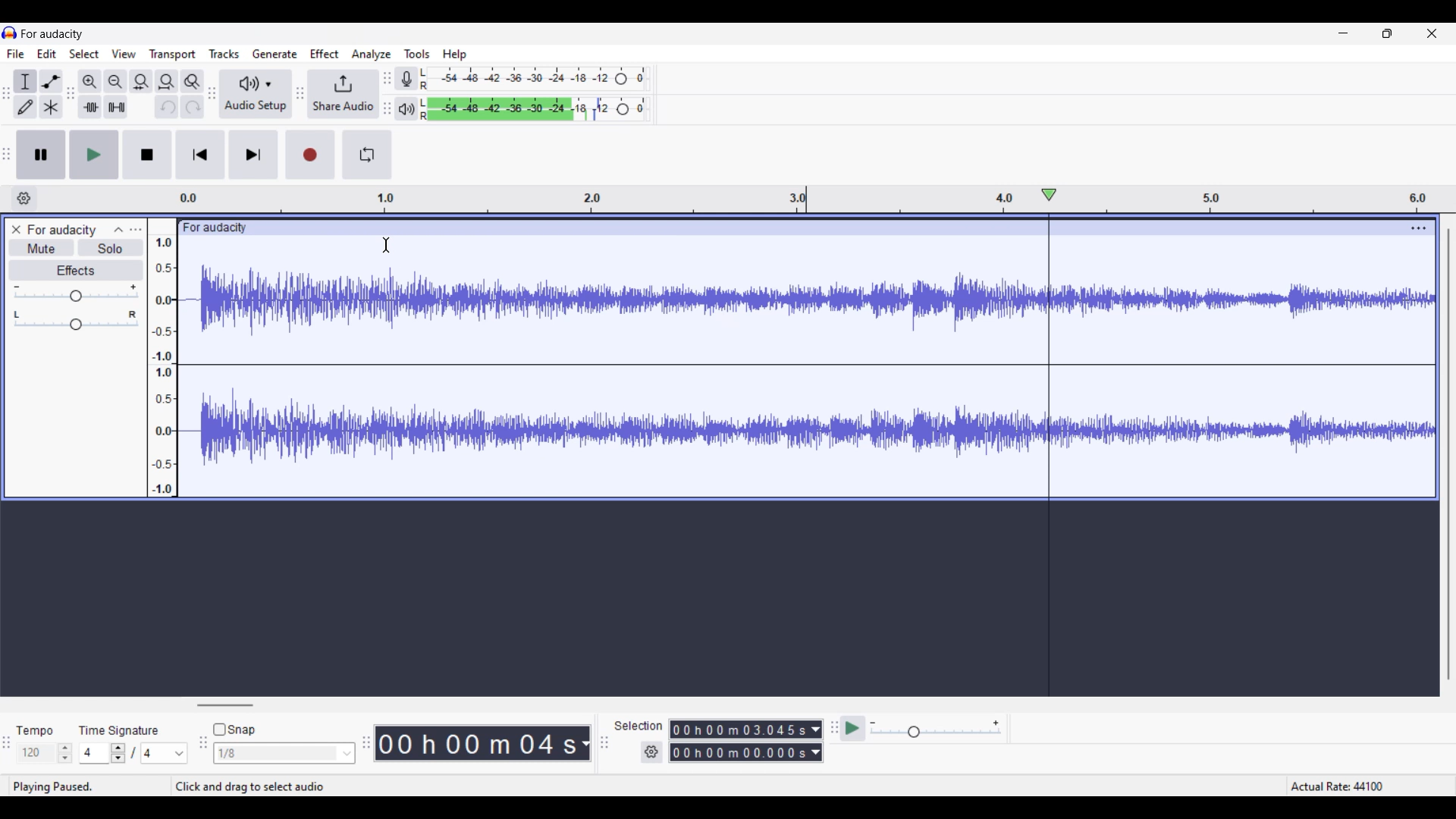  Describe the element at coordinates (324, 54) in the screenshot. I see `Effect menu` at that location.